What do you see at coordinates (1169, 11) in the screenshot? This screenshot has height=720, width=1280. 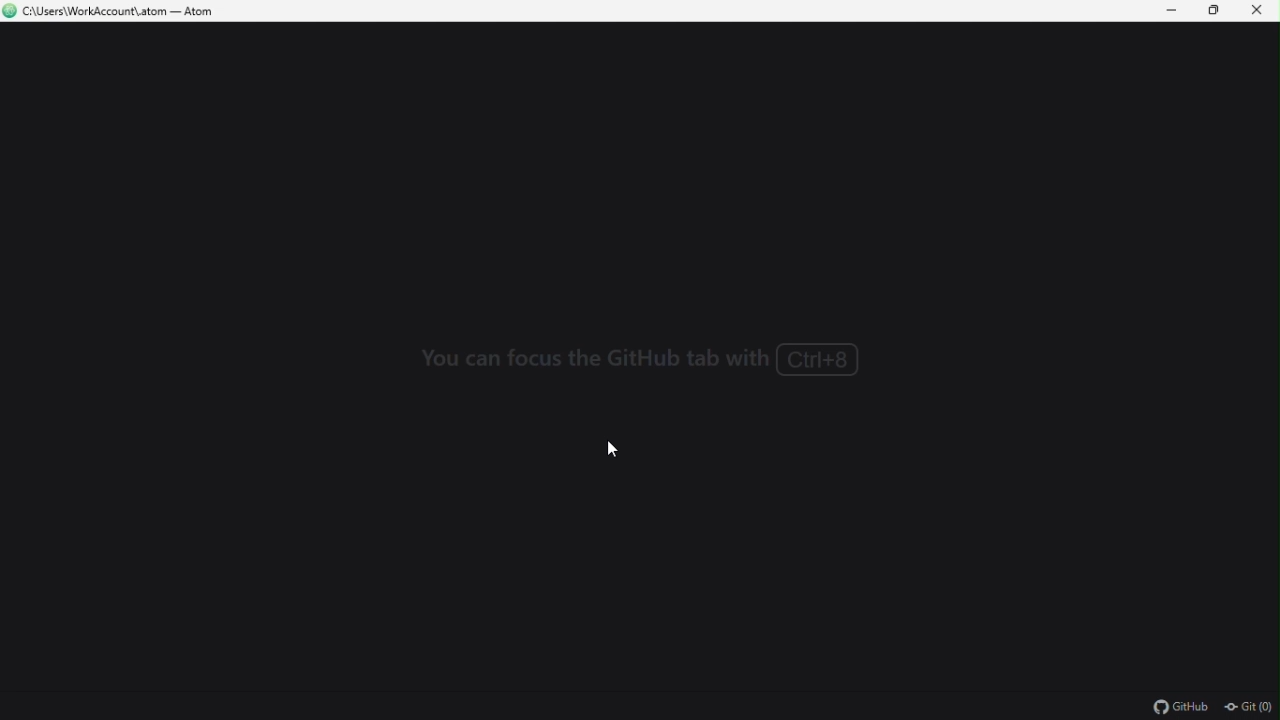 I see `minimize` at bounding box center [1169, 11].